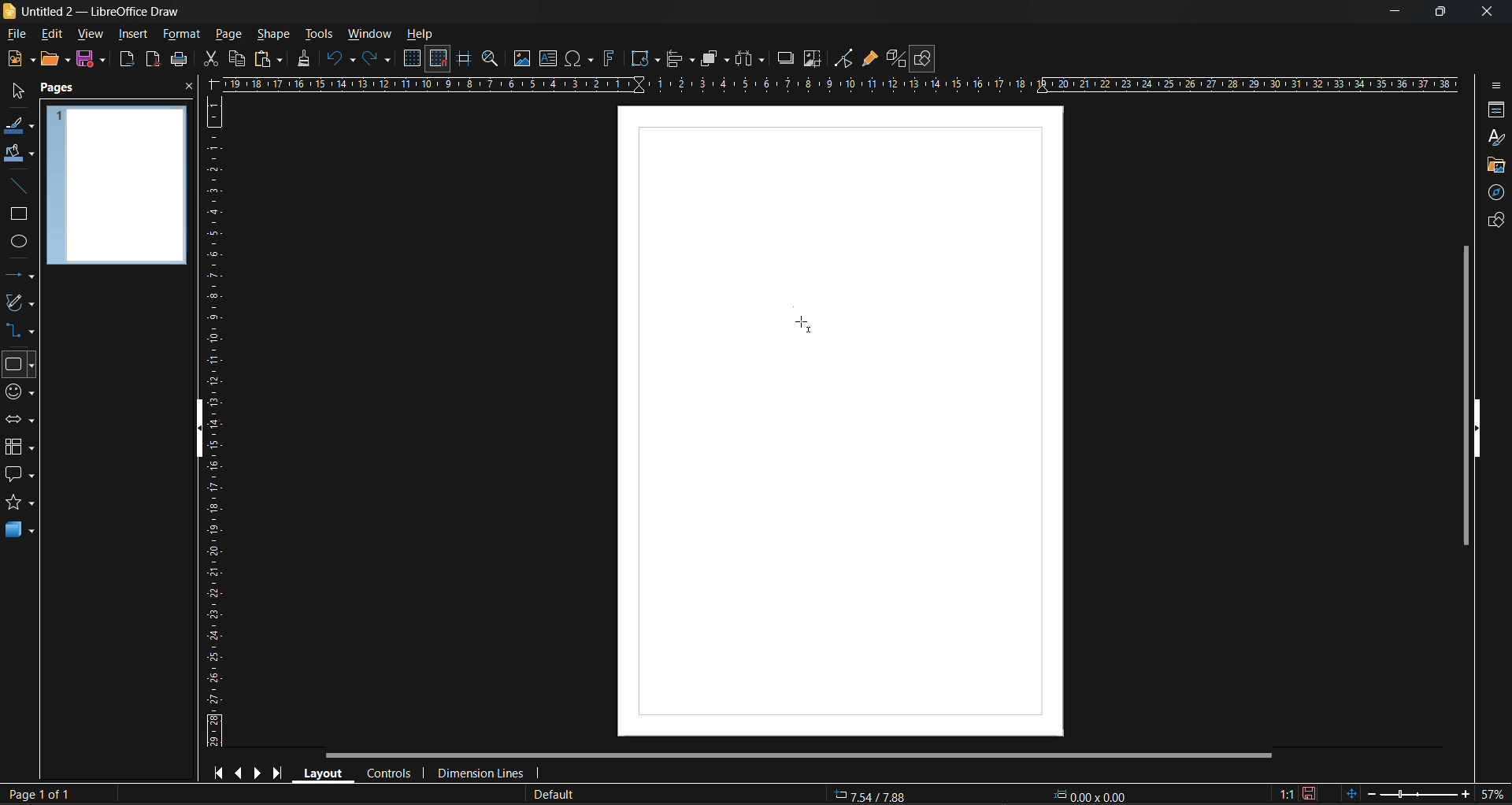 The height and width of the screenshot is (805, 1512). What do you see at coordinates (277, 34) in the screenshot?
I see `shape` at bounding box center [277, 34].